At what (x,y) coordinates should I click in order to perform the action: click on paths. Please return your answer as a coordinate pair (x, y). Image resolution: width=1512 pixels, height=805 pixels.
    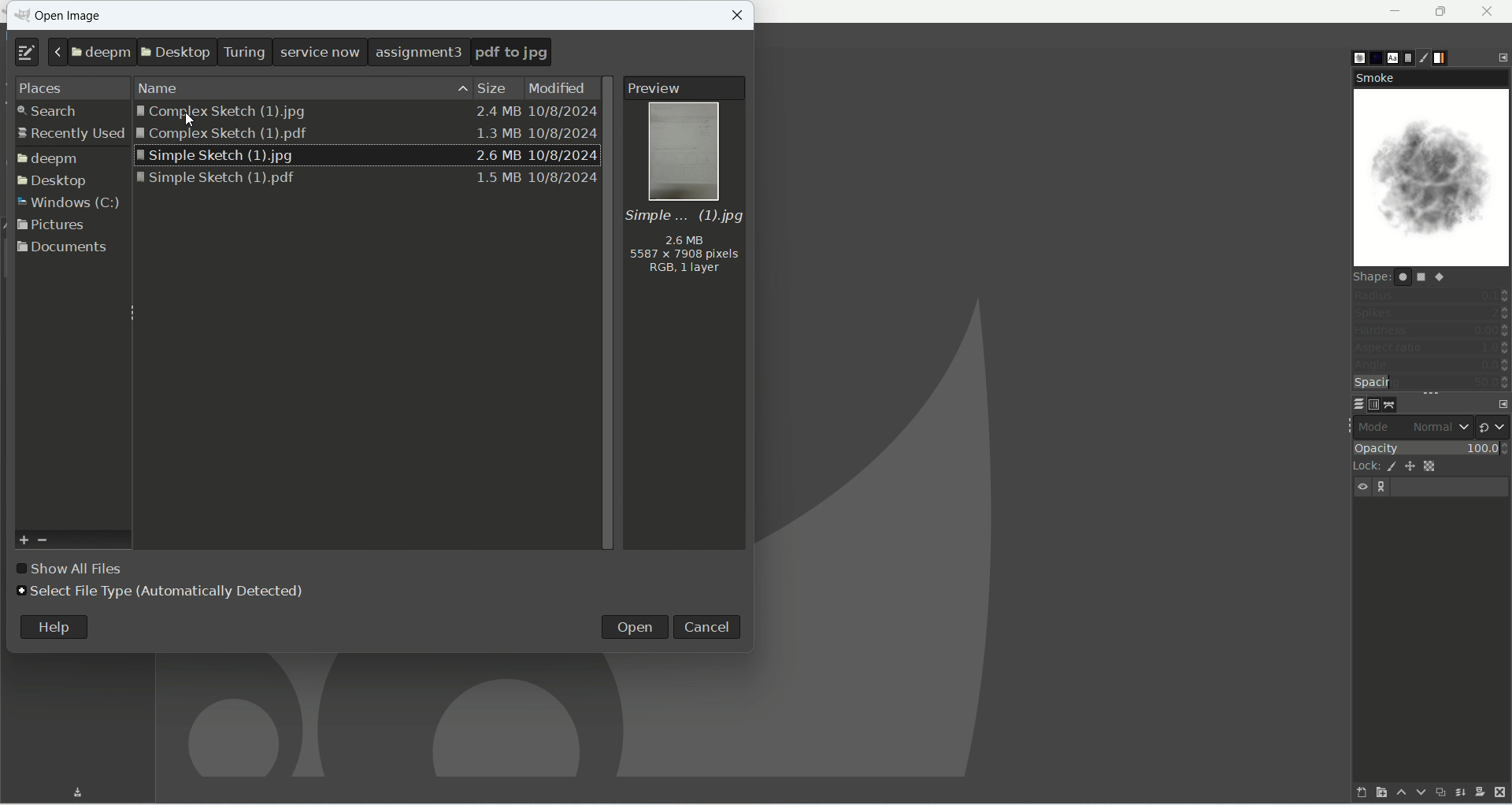
    Looking at the image, I should click on (1393, 405).